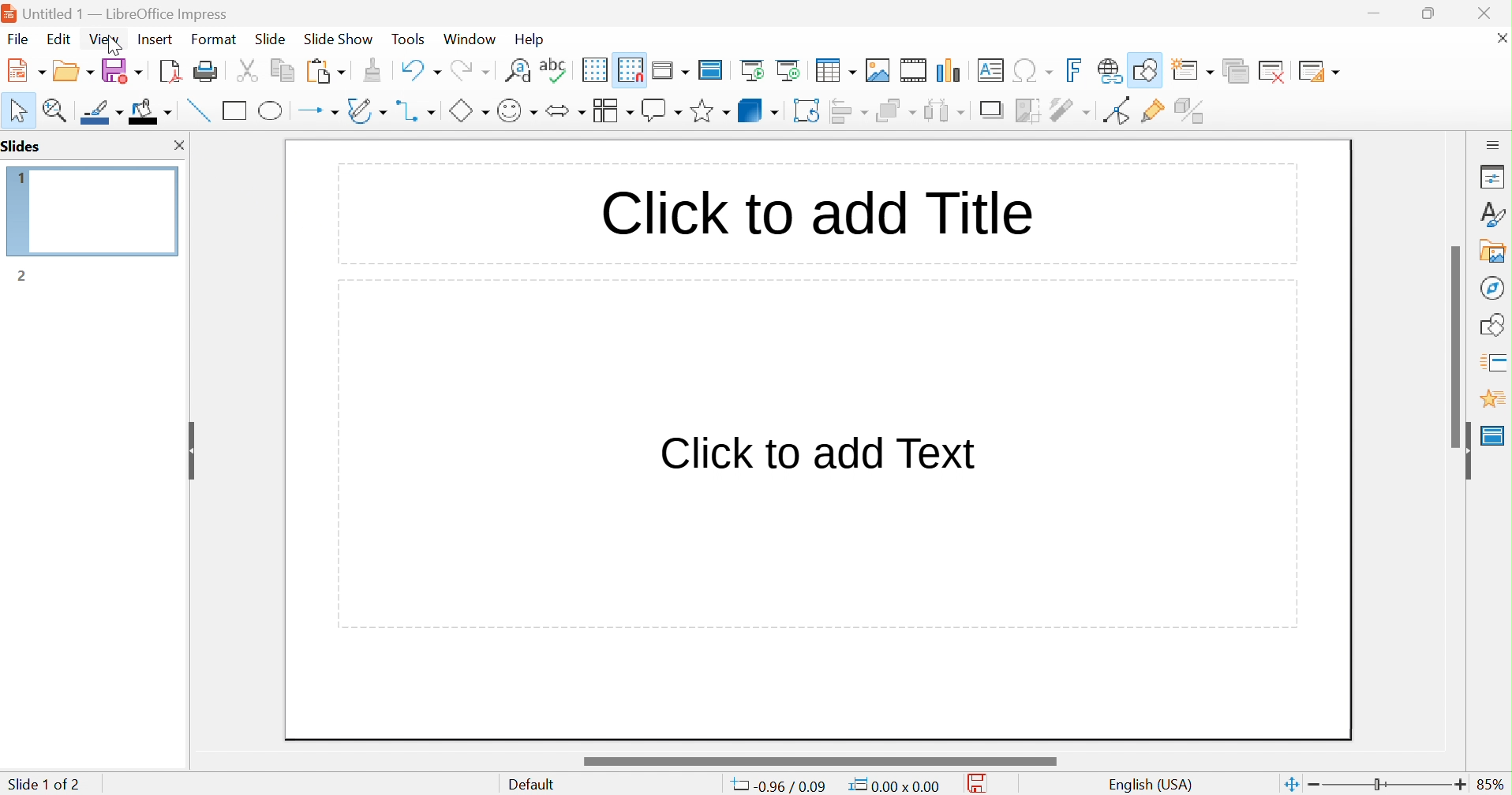 The width and height of the screenshot is (1512, 795). What do you see at coordinates (272, 110) in the screenshot?
I see `ellipse` at bounding box center [272, 110].